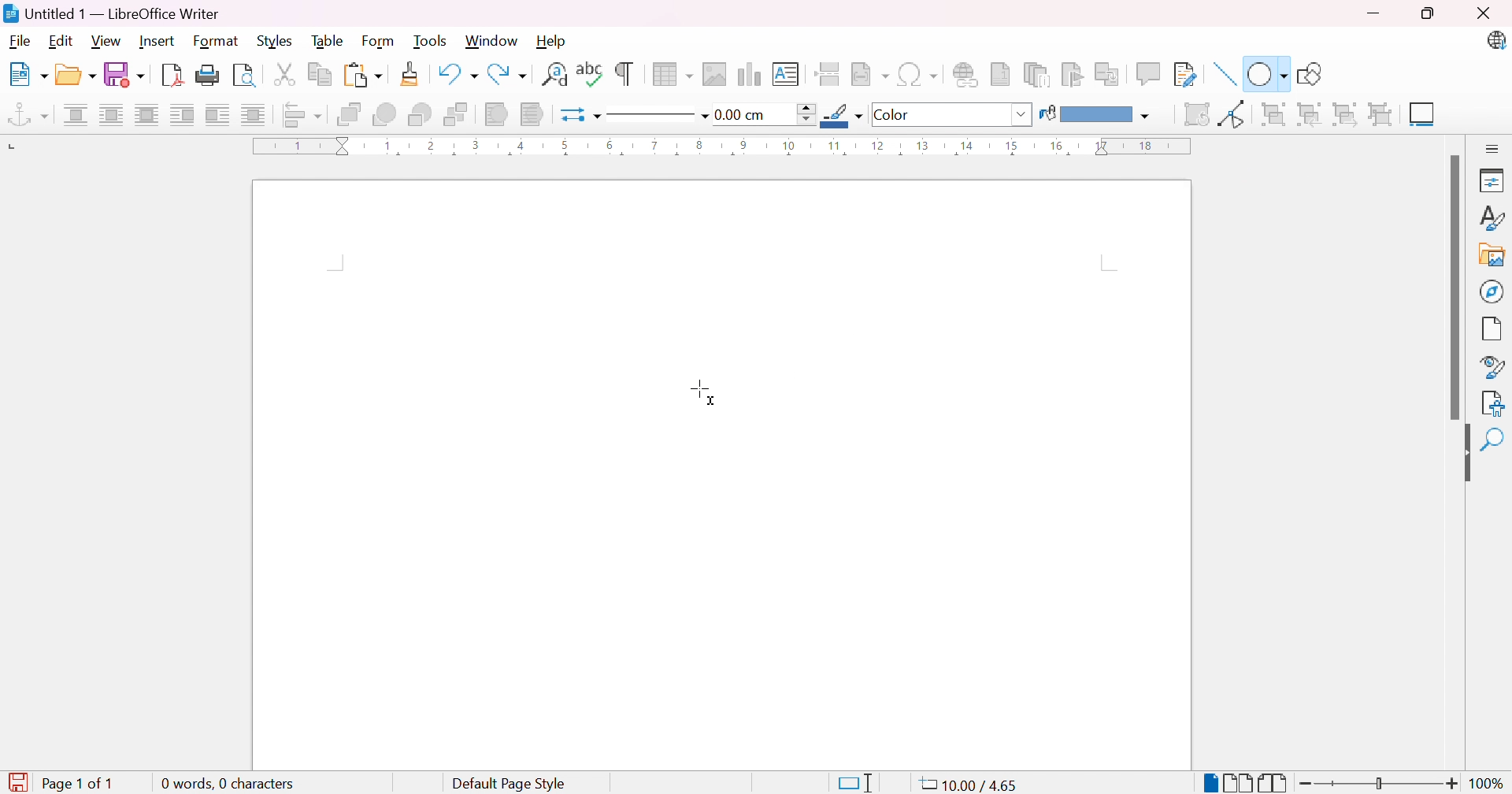 The width and height of the screenshot is (1512, 794). What do you see at coordinates (1239, 783) in the screenshot?
I see `Multiple-page view` at bounding box center [1239, 783].